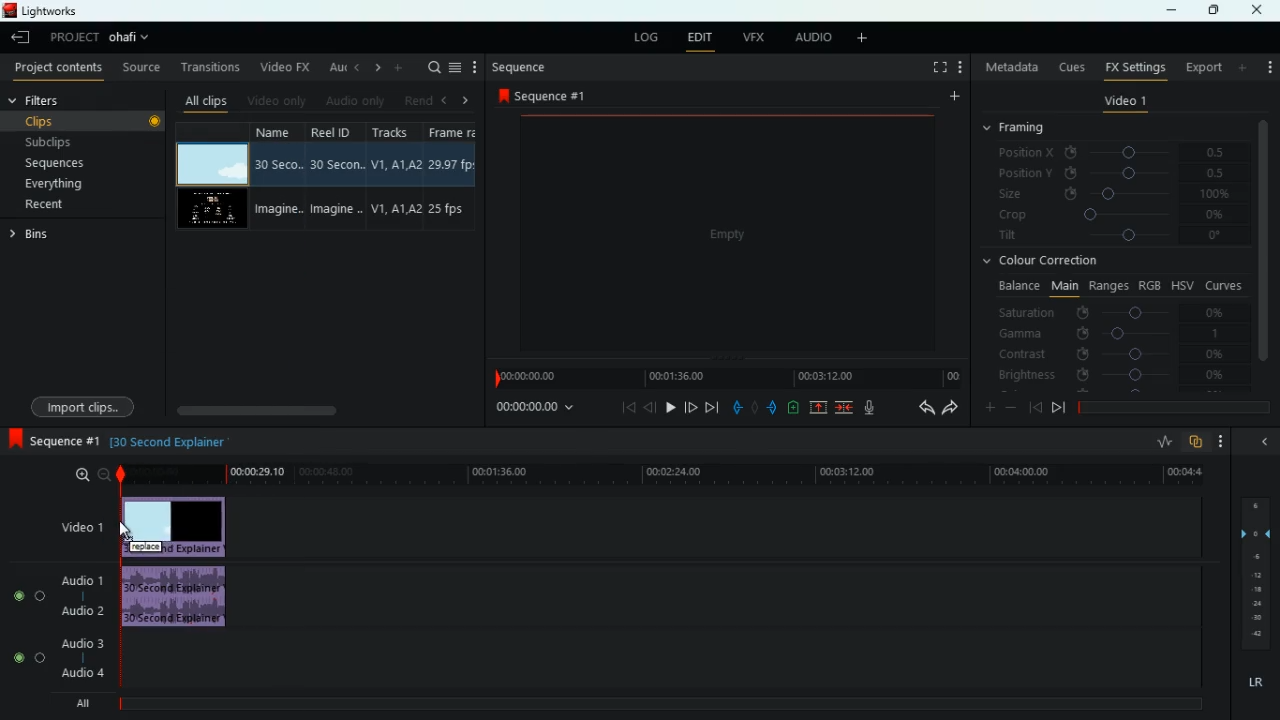 The height and width of the screenshot is (720, 1280). I want to click on crop, so click(1113, 217).